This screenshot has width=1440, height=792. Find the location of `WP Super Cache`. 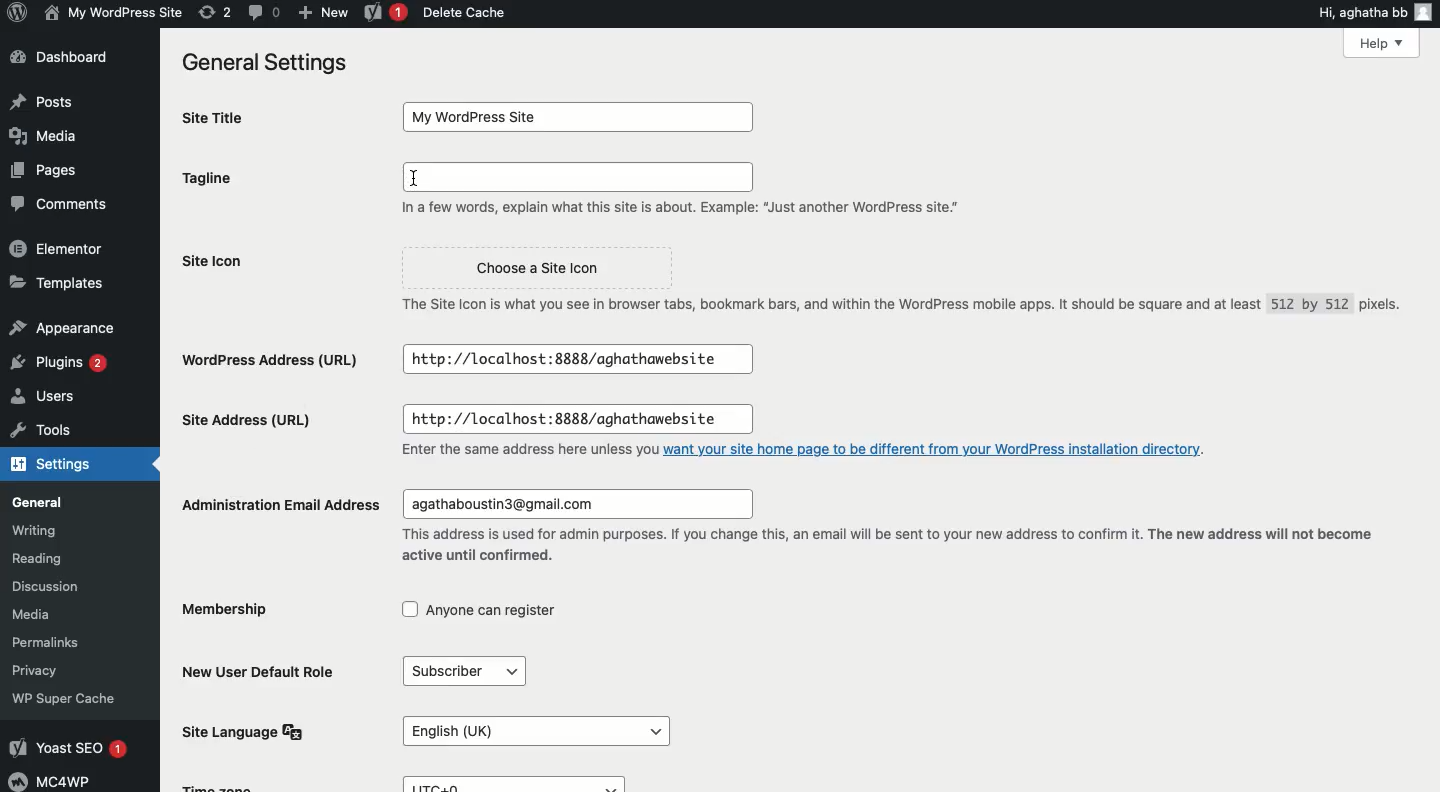

WP Super Cache is located at coordinates (79, 698).